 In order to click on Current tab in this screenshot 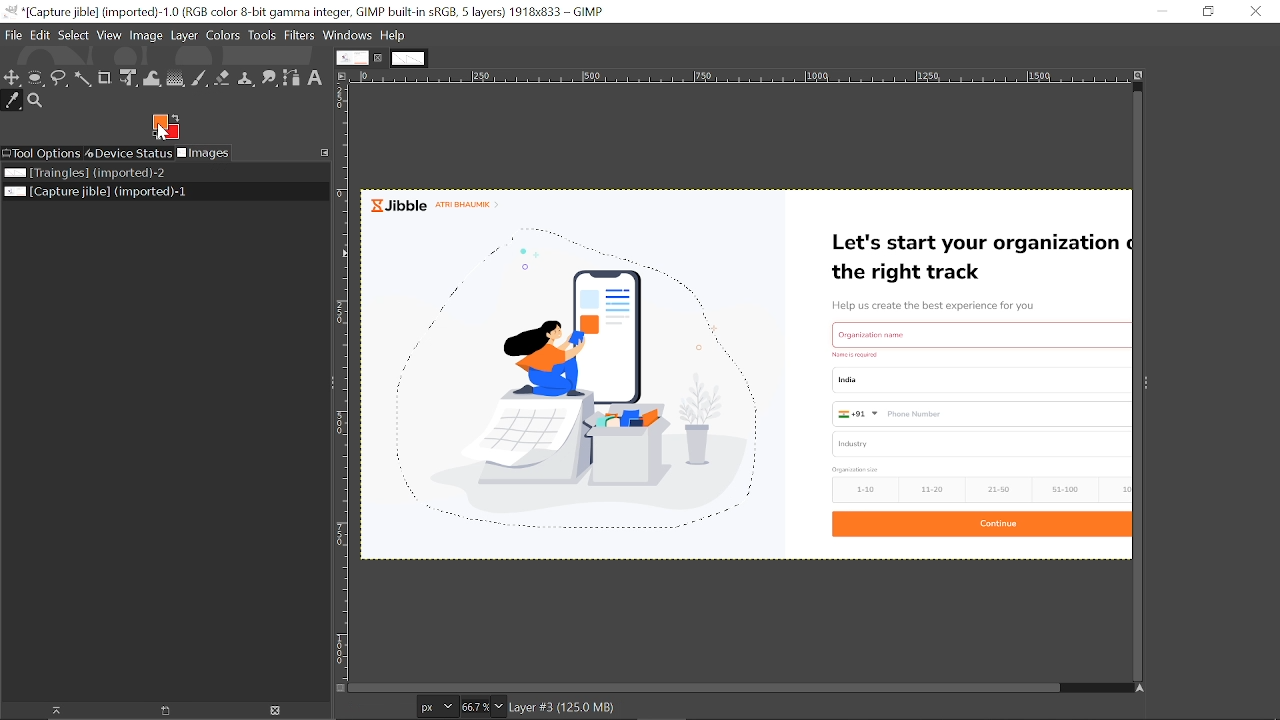, I will do `click(351, 57)`.